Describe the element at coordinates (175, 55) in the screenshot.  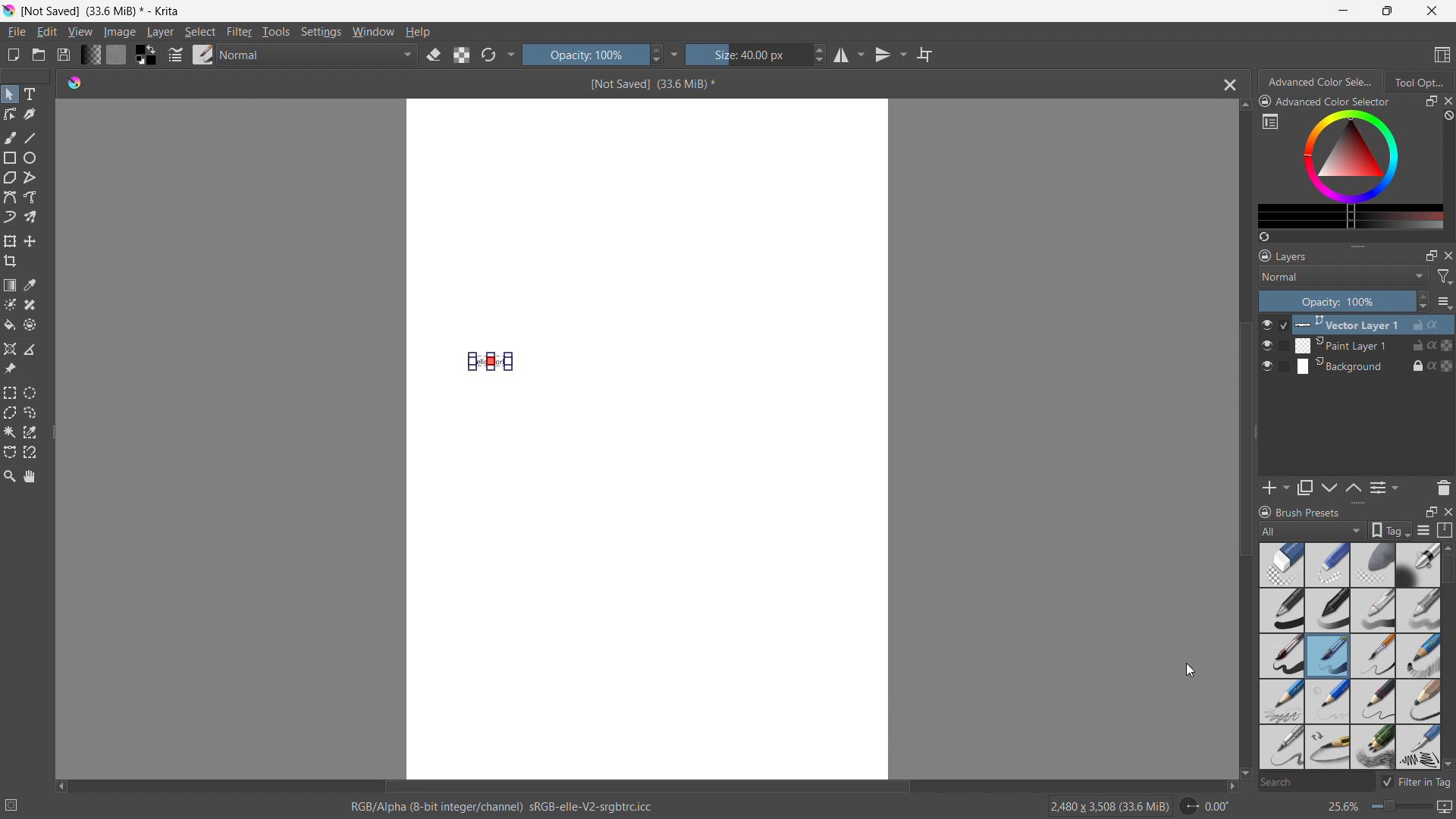
I see `edit brush settings` at that location.